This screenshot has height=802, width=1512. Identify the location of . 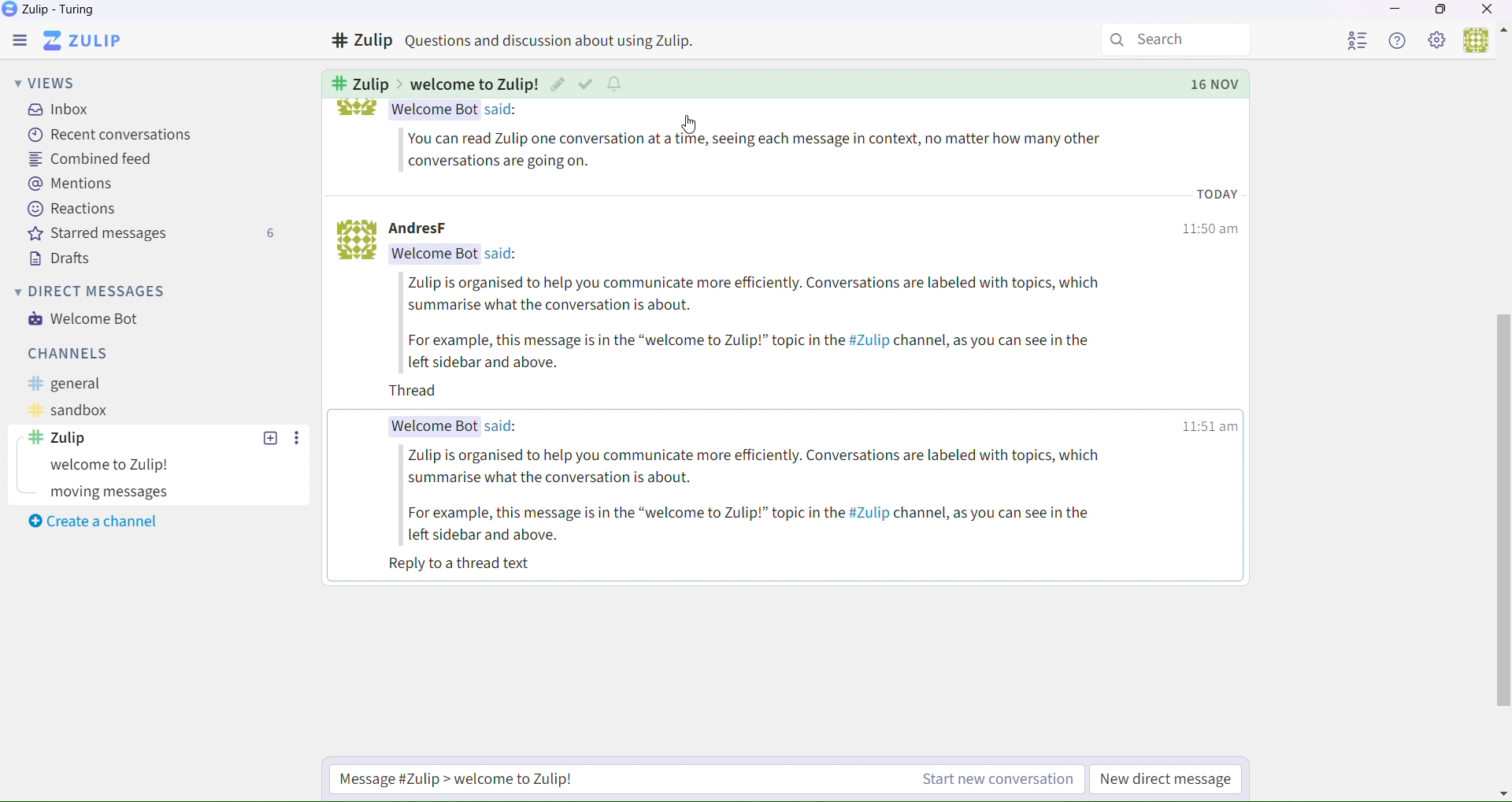
(53, 438).